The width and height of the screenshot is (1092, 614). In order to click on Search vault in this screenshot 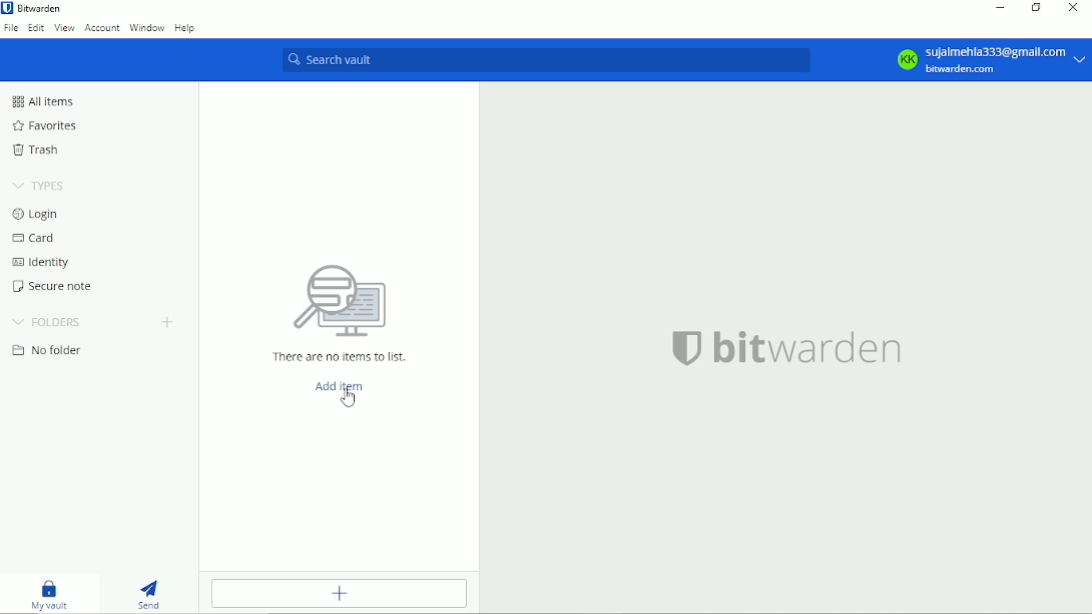, I will do `click(550, 61)`.